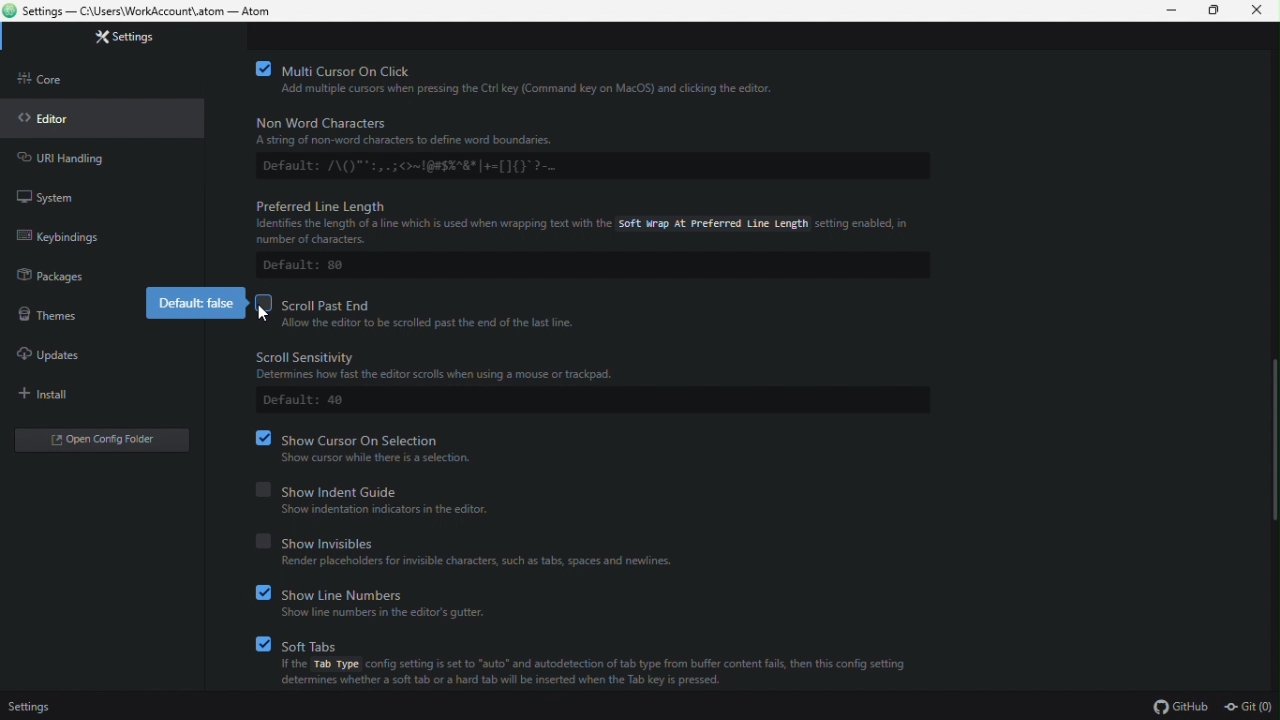 The width and height of the screenshot is (1280, 720). Describe the element at coordinates (1214, 11) in the screenshot. I see `Restore` at that location.